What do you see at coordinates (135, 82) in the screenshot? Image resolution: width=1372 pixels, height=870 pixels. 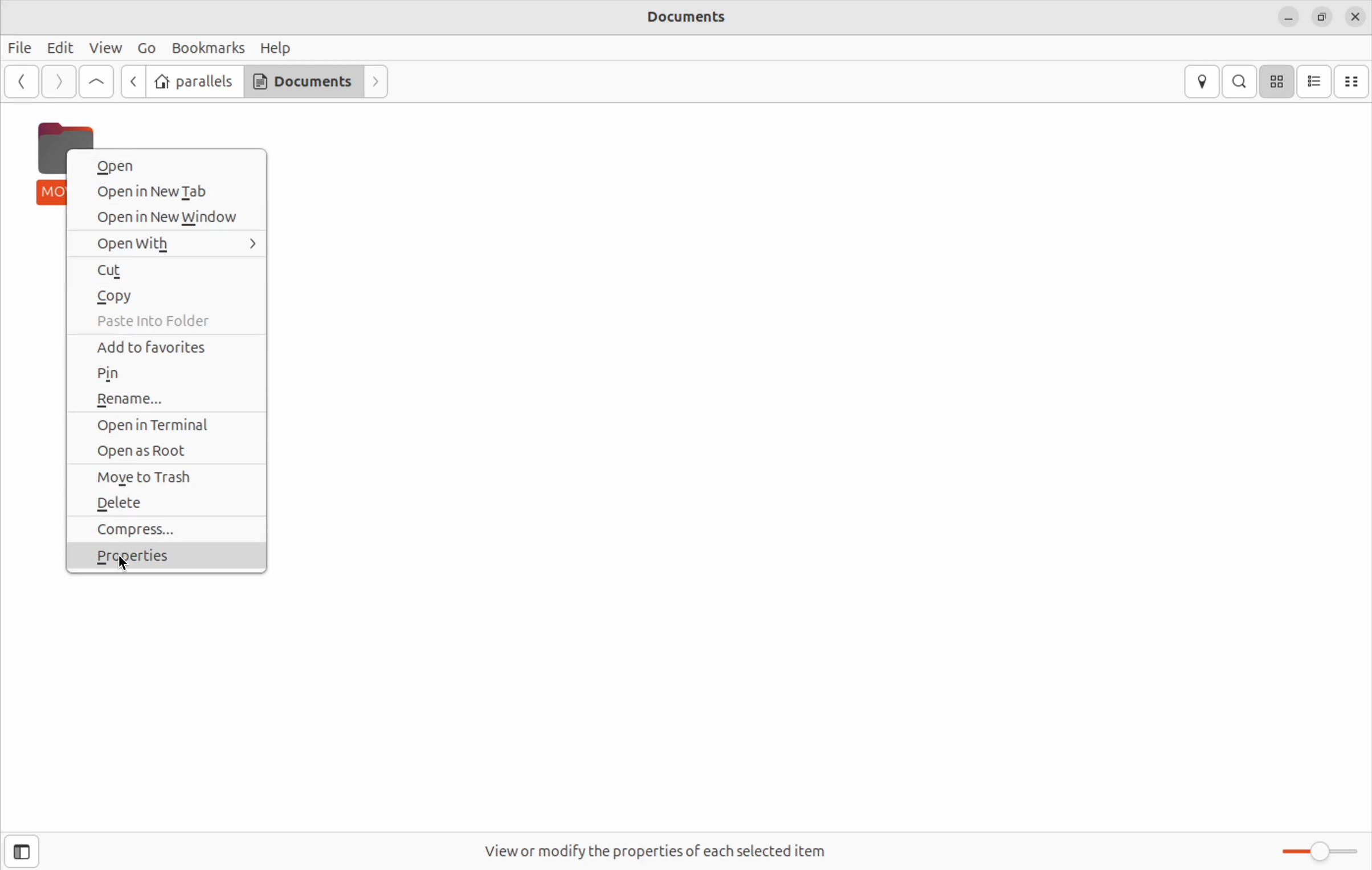 I see `back` at bounding box center [135, 82].